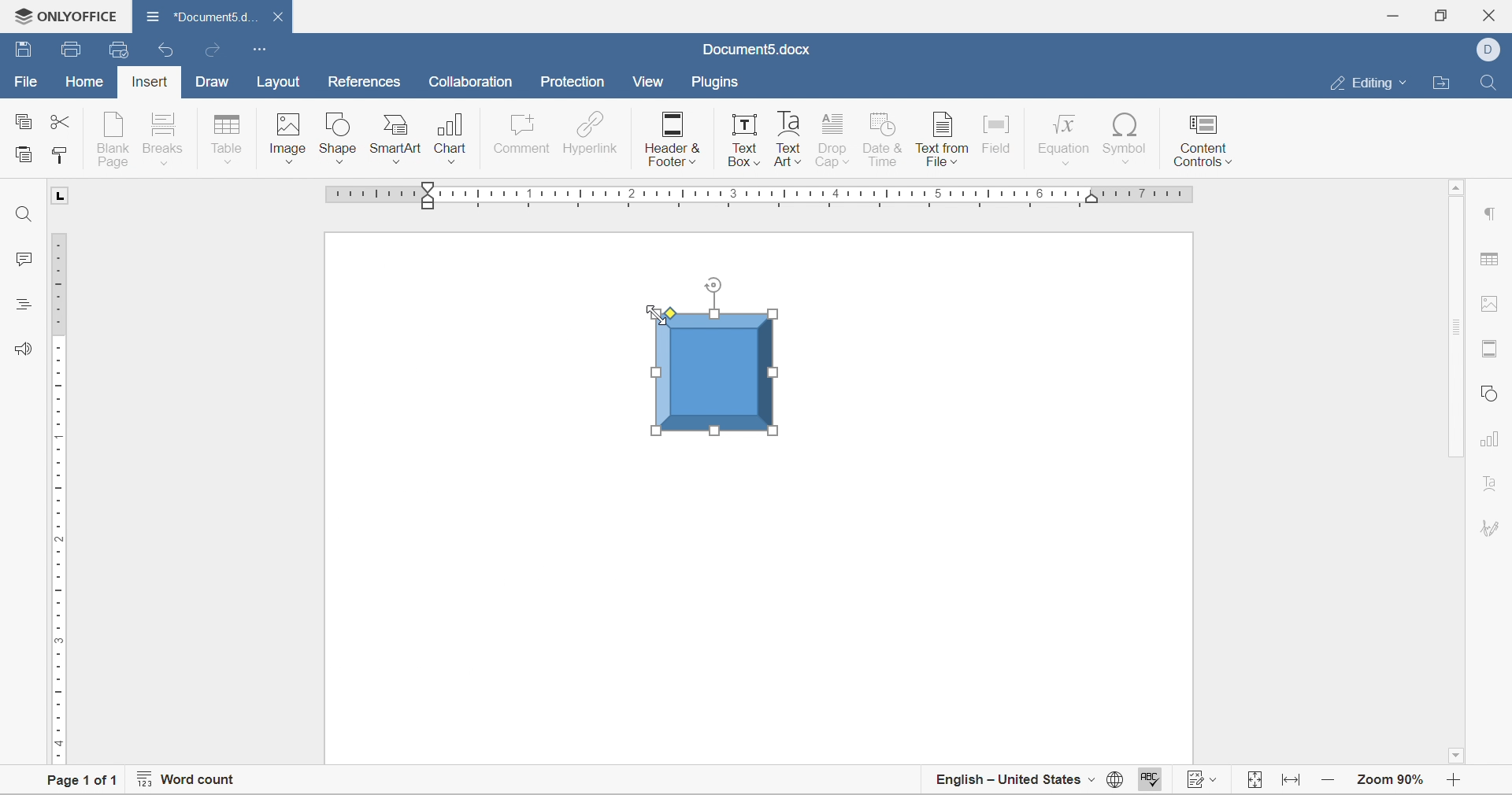  Describe the element at coordinates (1199, 782) in the screenshot. I see `track changes` at that location.